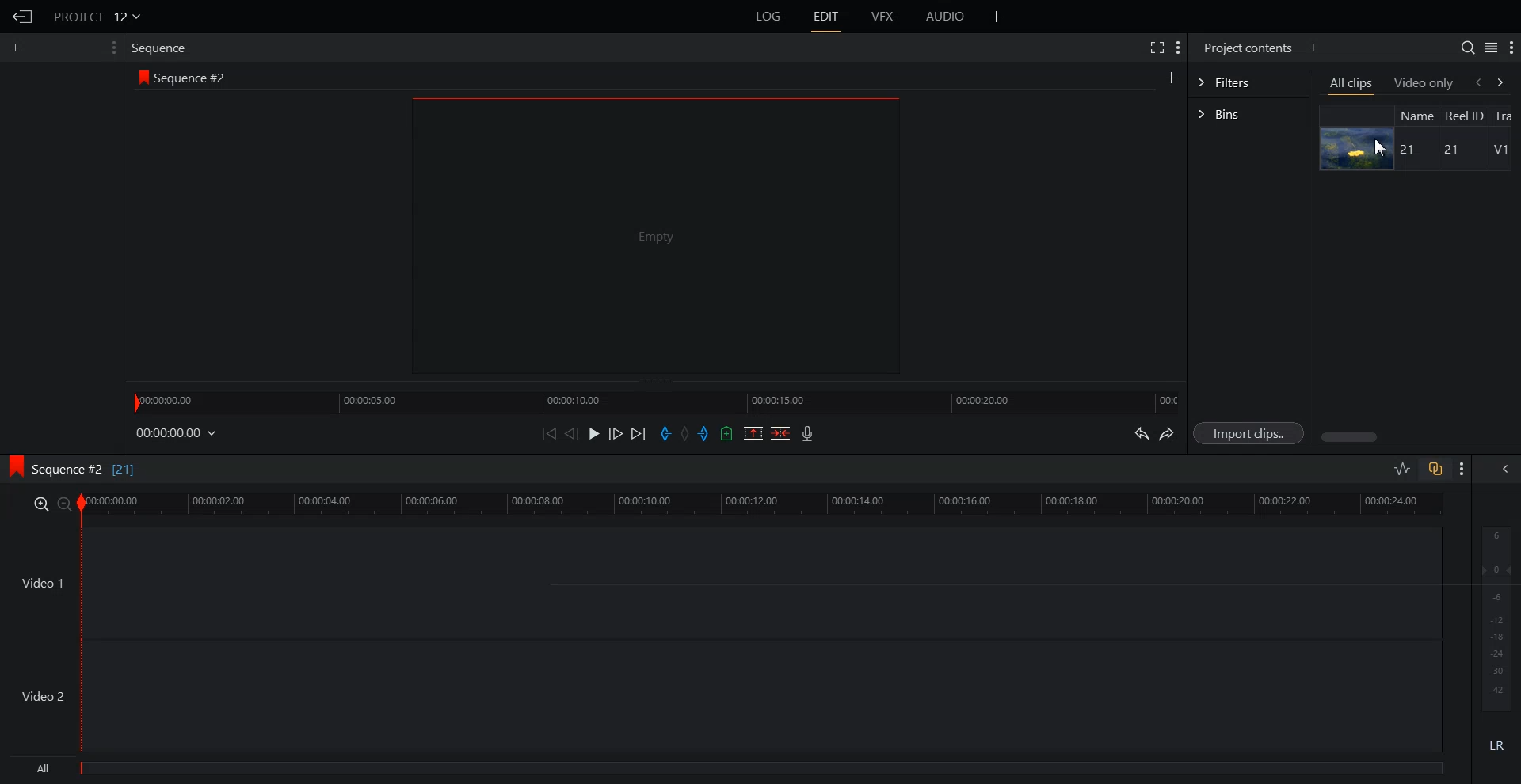 This screenshot has width=1521, height=784. What do you see at coordinates (193, 75) in the screenshot?
I see `Sequence #2` at bounding box center [193, 75].